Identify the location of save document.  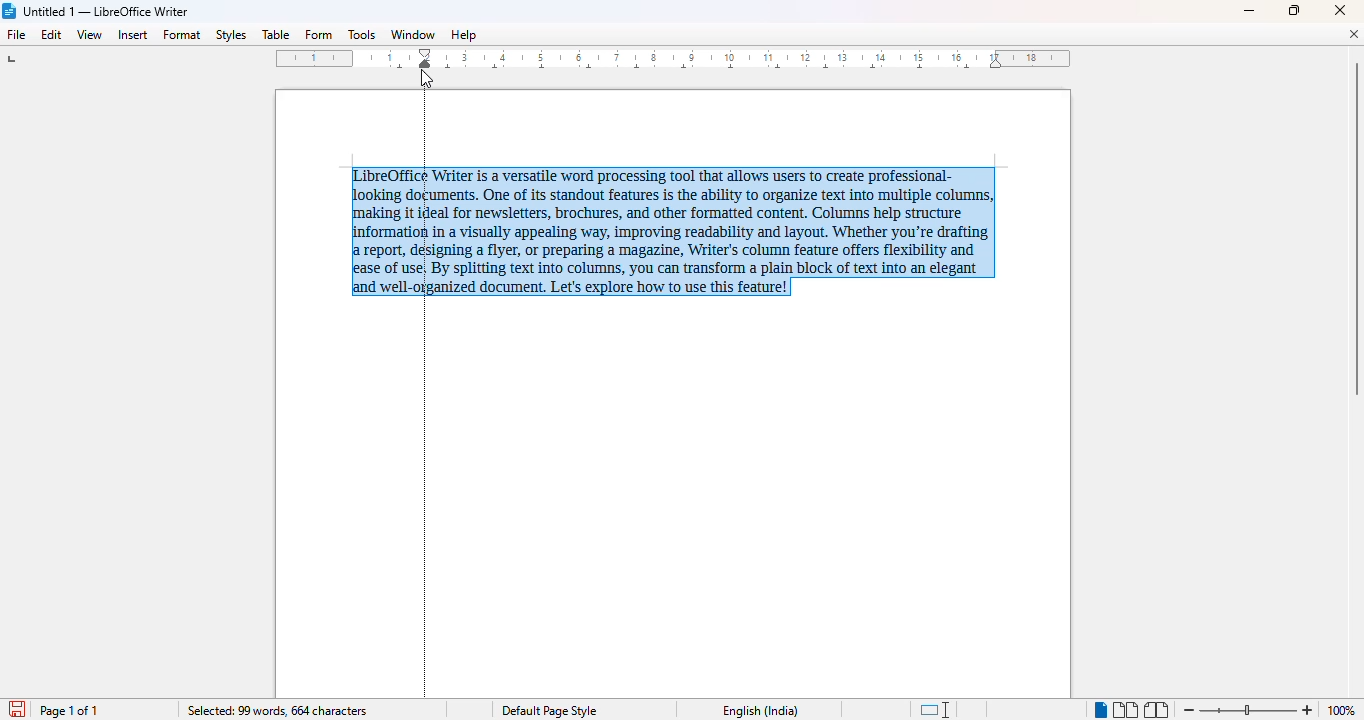
(17, 708).